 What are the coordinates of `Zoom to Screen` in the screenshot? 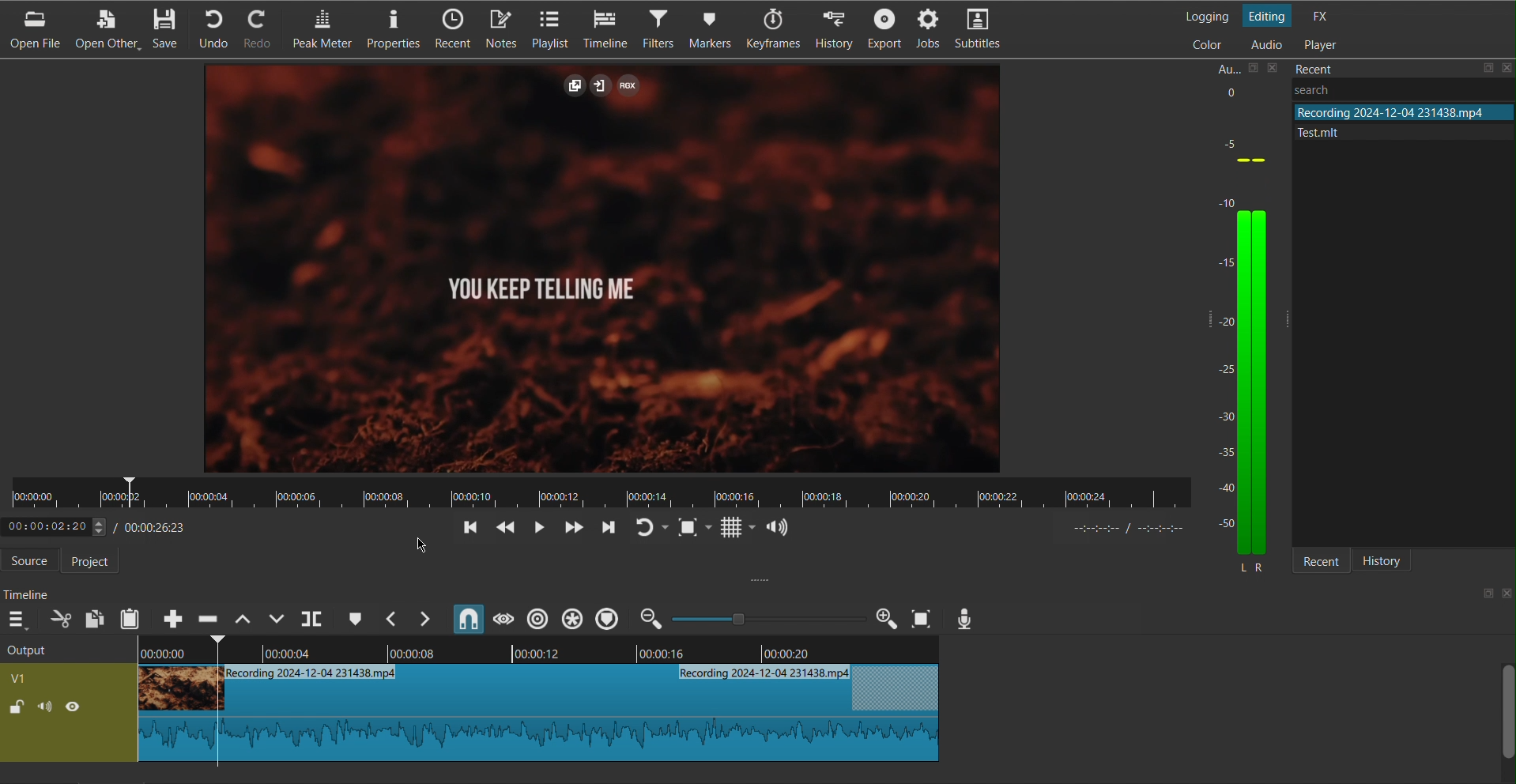 It's located at (920, 618).